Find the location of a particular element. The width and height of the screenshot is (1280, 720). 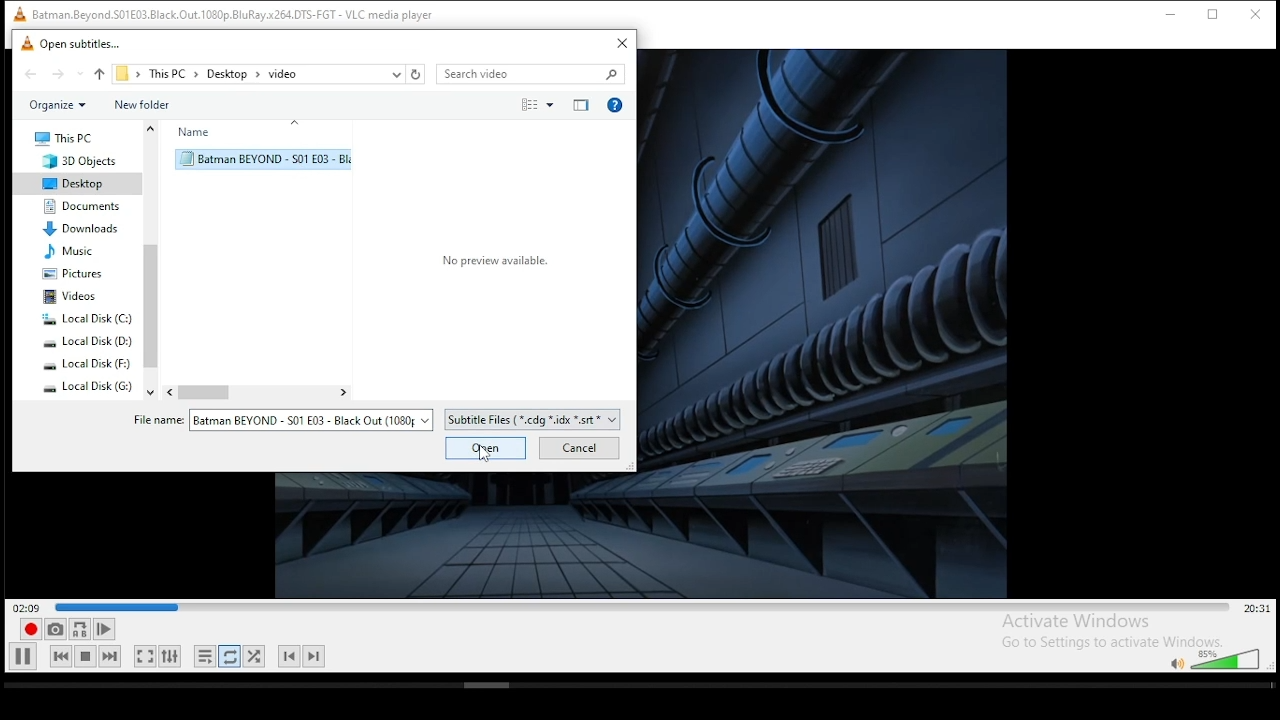

select view is located at coordinates (538, 106).